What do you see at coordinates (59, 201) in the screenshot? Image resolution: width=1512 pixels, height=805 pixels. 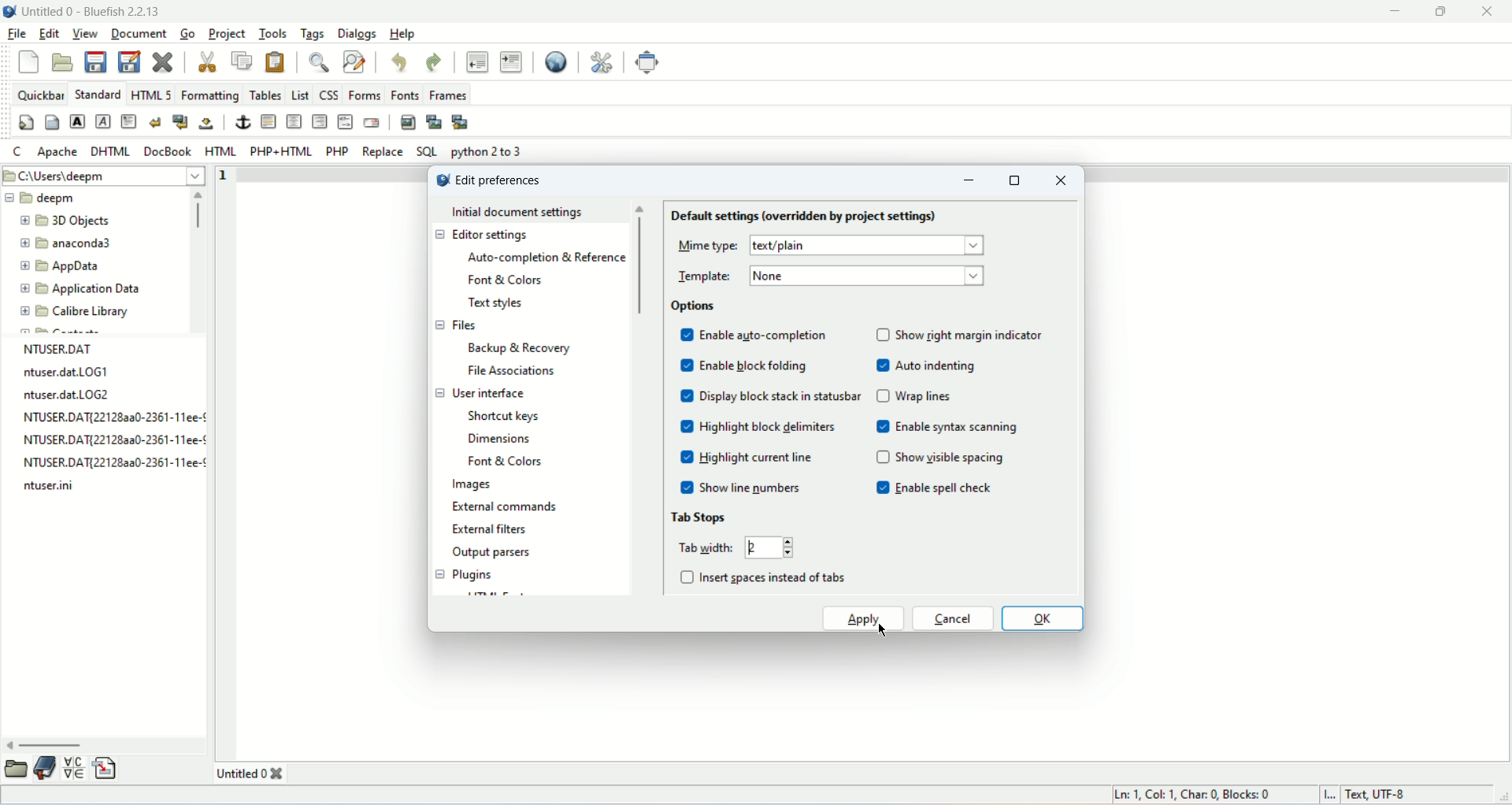 I see `deepm` at bounding box center [59, 201].